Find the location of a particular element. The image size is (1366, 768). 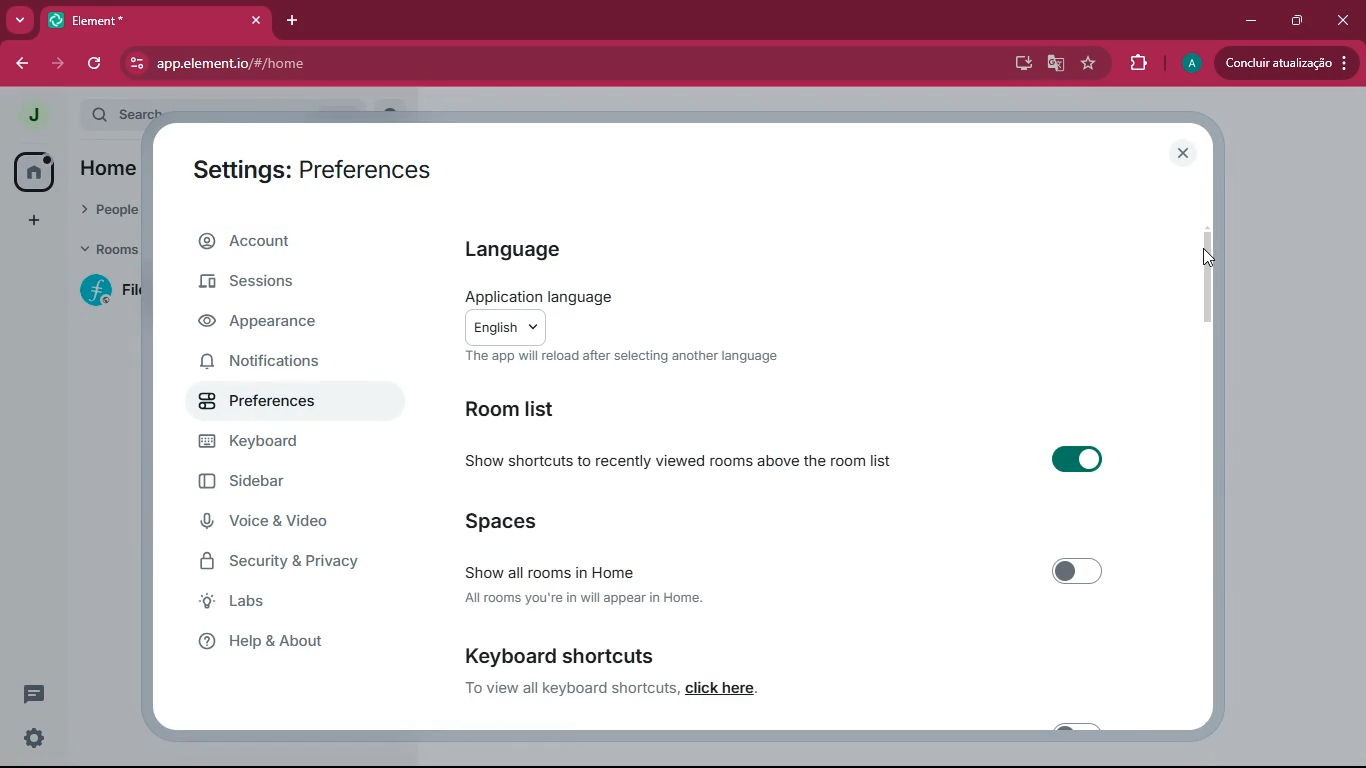

help is located at coordinates (294, 643).